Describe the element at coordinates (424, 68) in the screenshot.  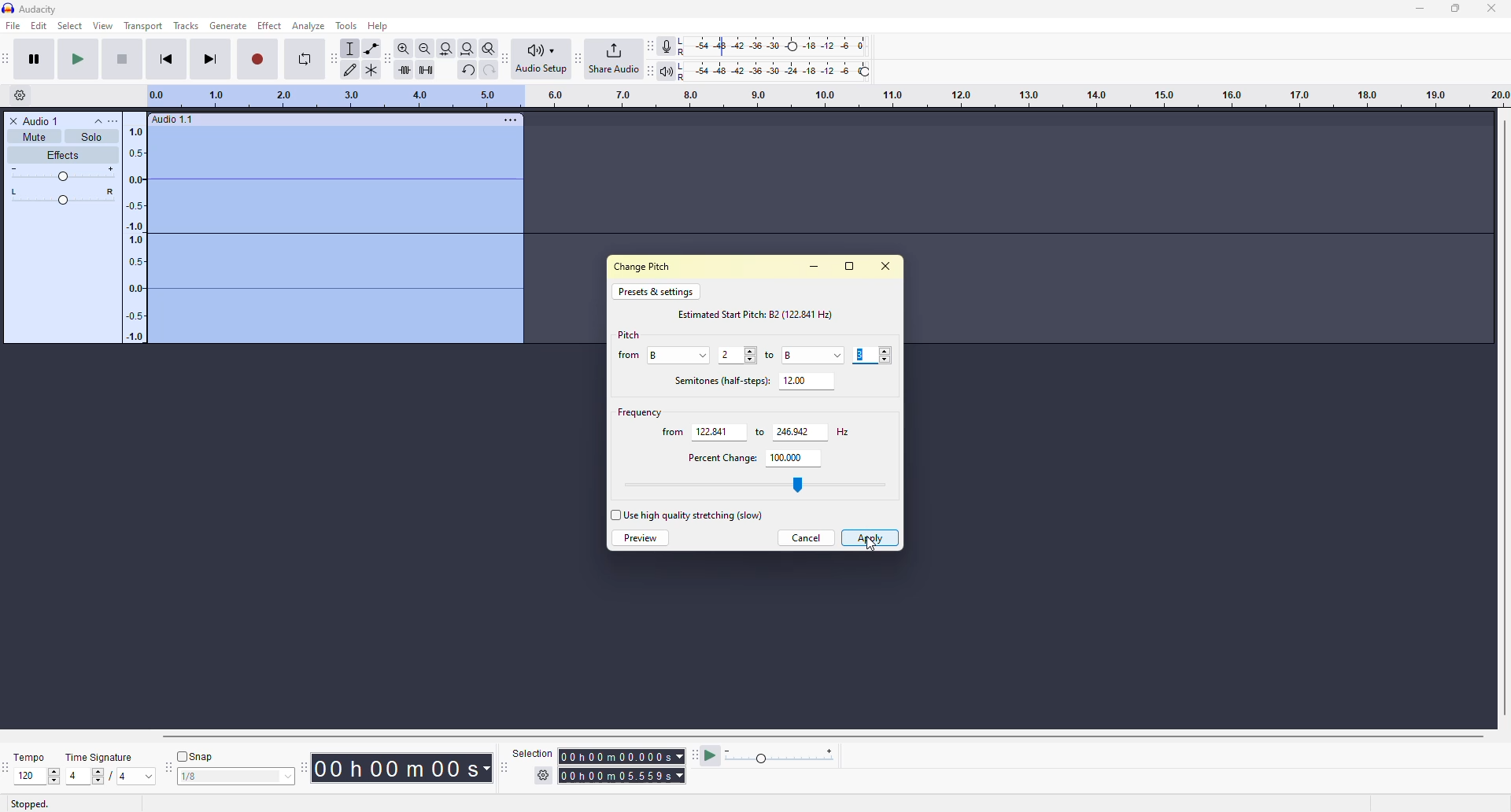
I see `silence audio selection` at that location.